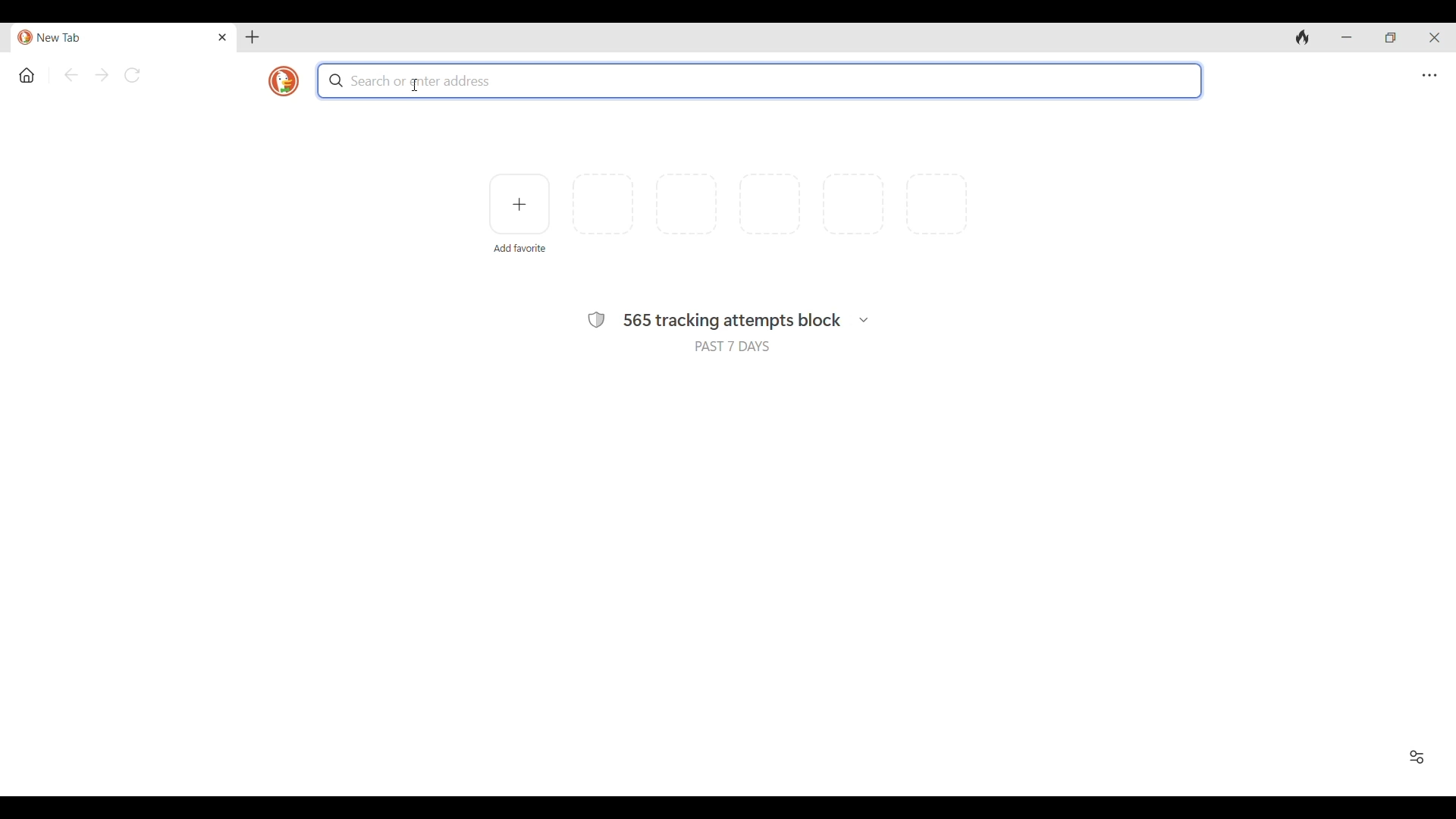  I want to click on Reload page, so click(132, 75).